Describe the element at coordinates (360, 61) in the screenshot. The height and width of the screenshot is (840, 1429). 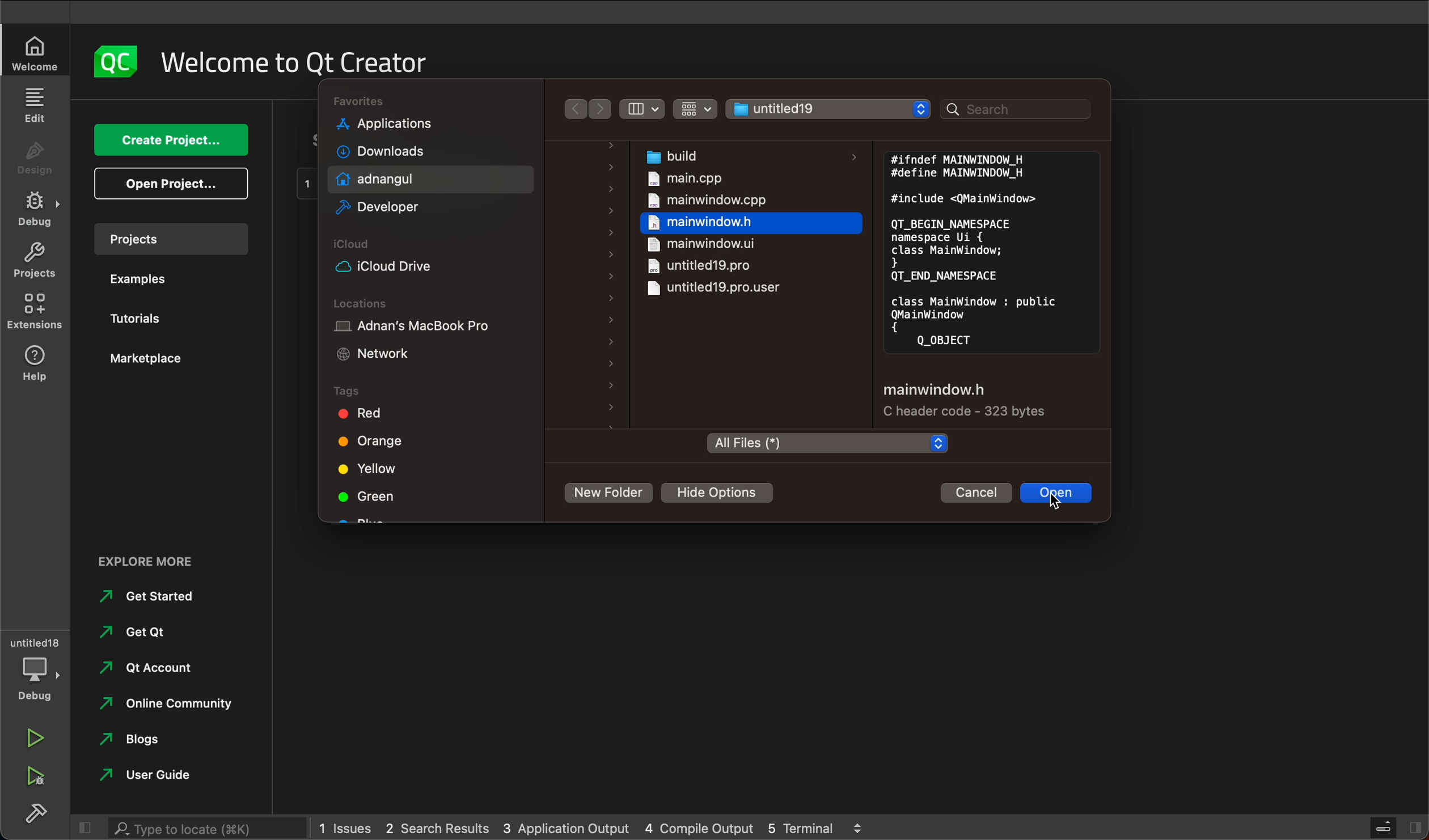
I see `welcome ` at that location.